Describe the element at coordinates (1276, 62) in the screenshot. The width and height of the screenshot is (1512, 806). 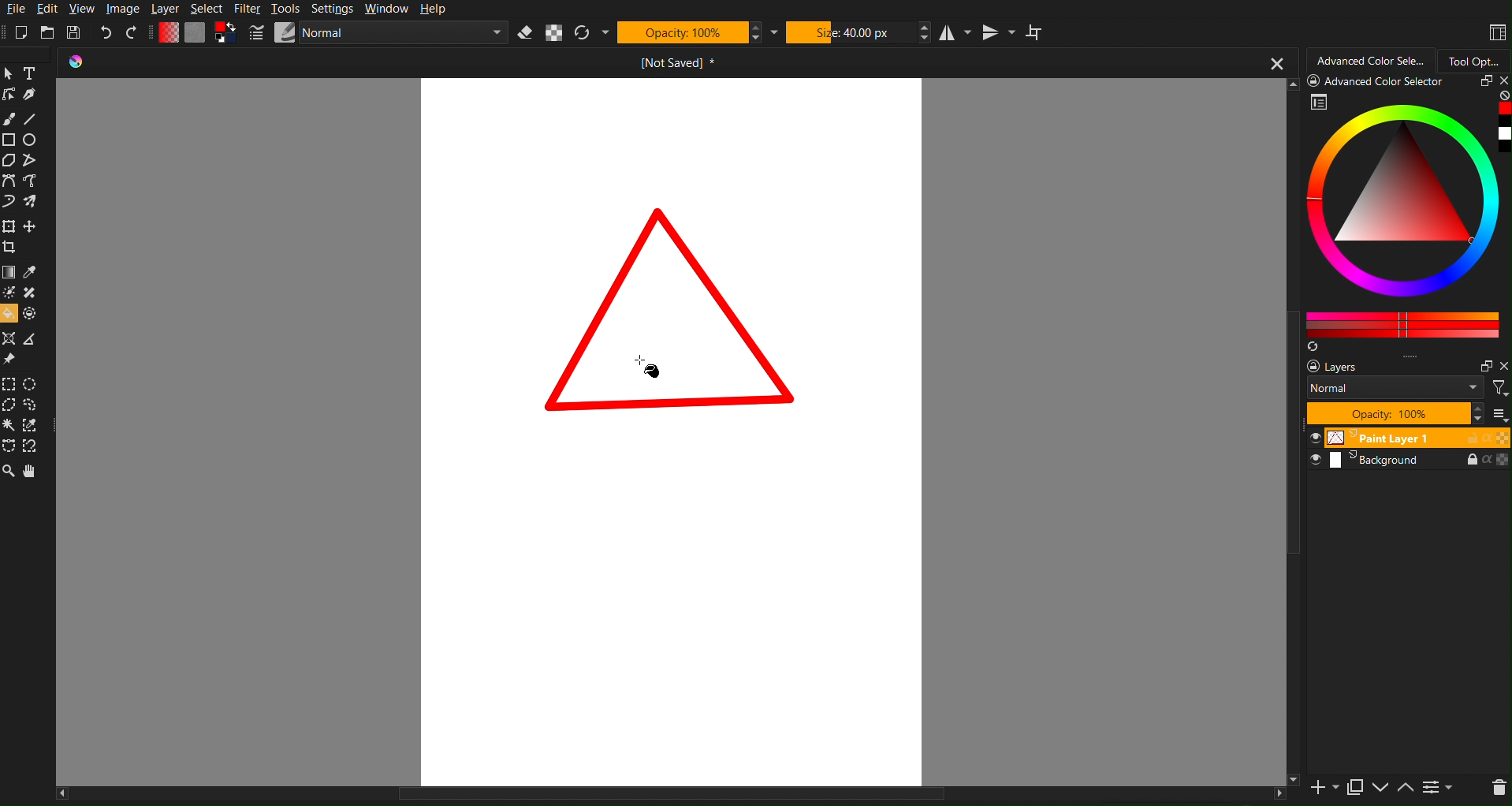
I see `close button` at that location.